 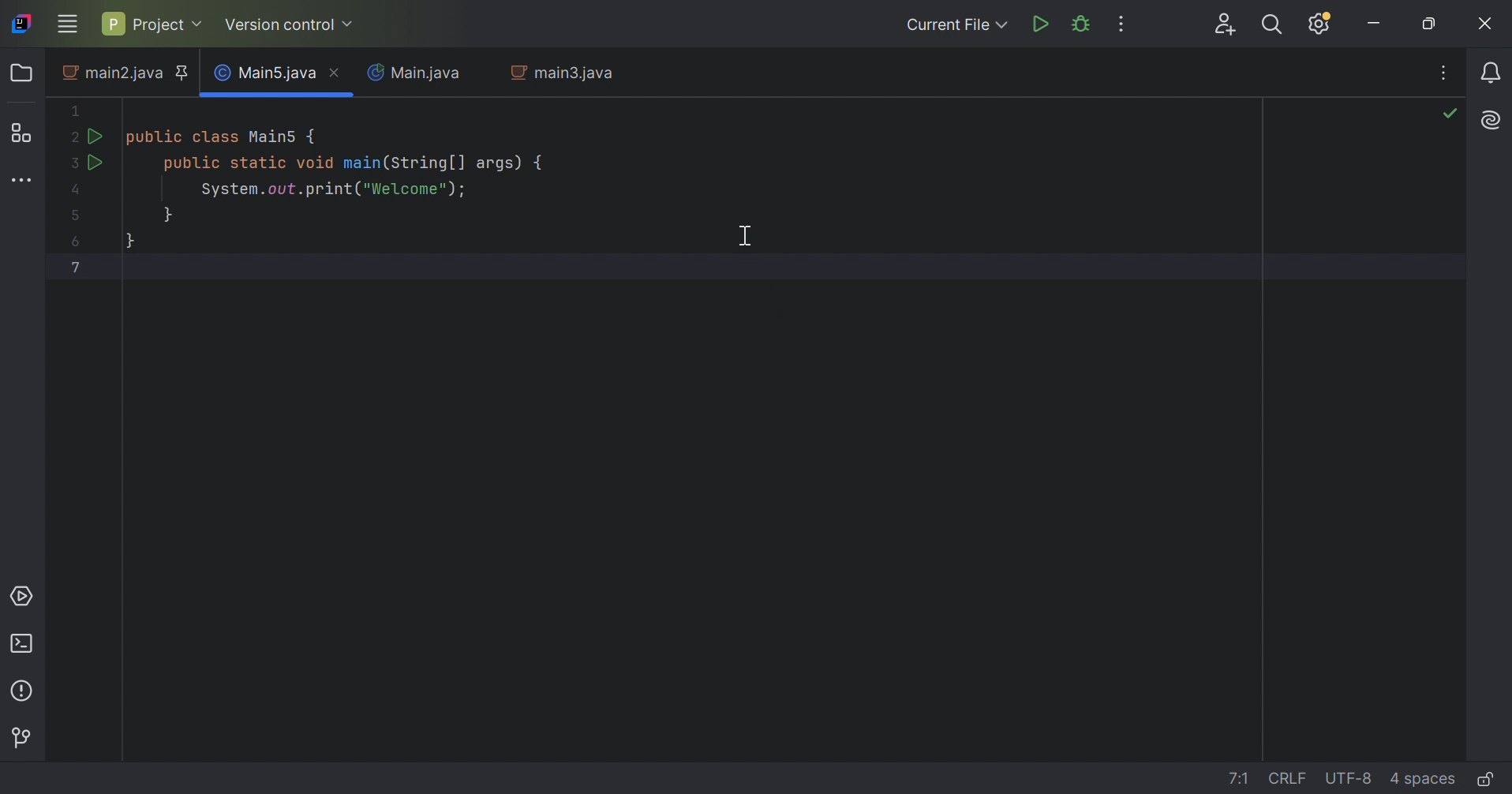 What do you see at coordinates (264, 71) in the screenshot?
I see `Main5.java` at bounding box center [264, 71].